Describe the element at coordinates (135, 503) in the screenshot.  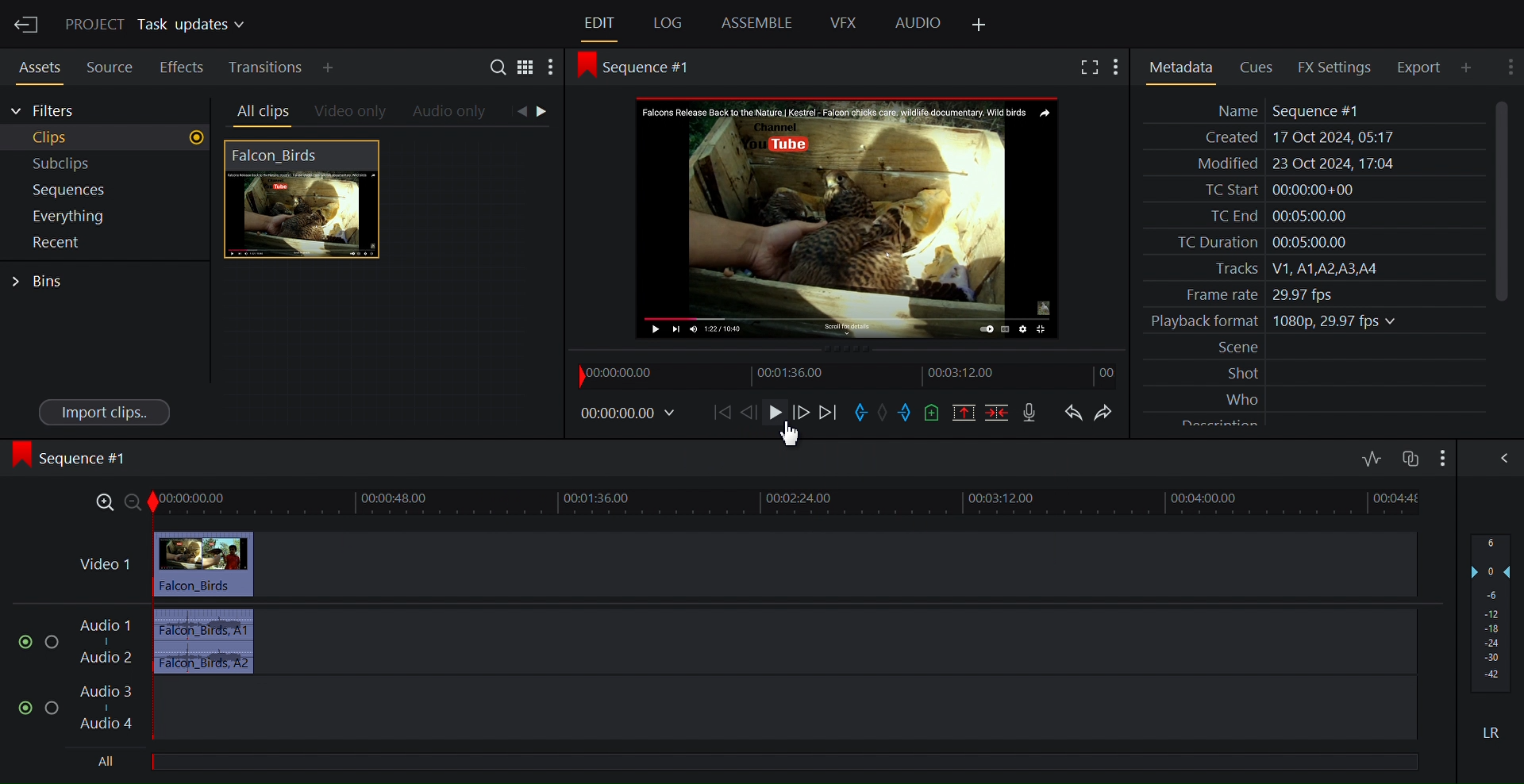
I see `zoom out` at that location.